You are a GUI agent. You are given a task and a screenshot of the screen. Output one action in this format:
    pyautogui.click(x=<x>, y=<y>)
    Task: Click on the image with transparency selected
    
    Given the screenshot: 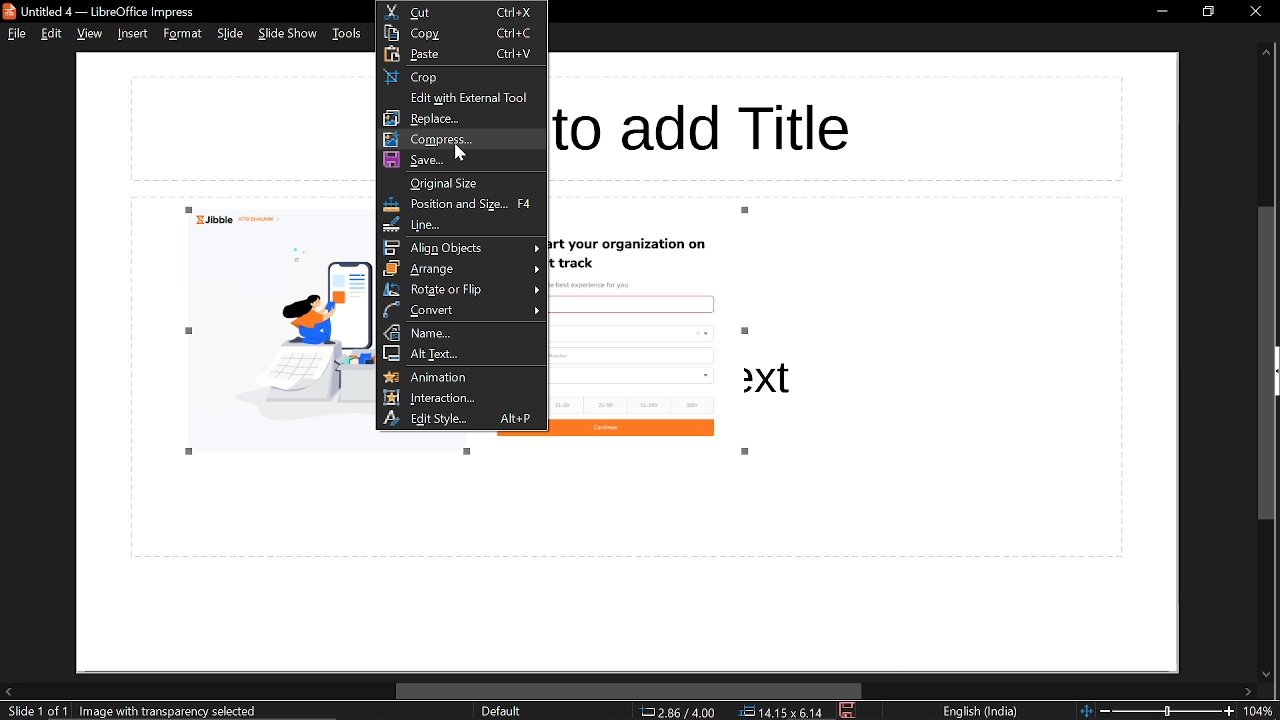 What is the action you would take?
    pyautogui.click(x=170, y=712)
    